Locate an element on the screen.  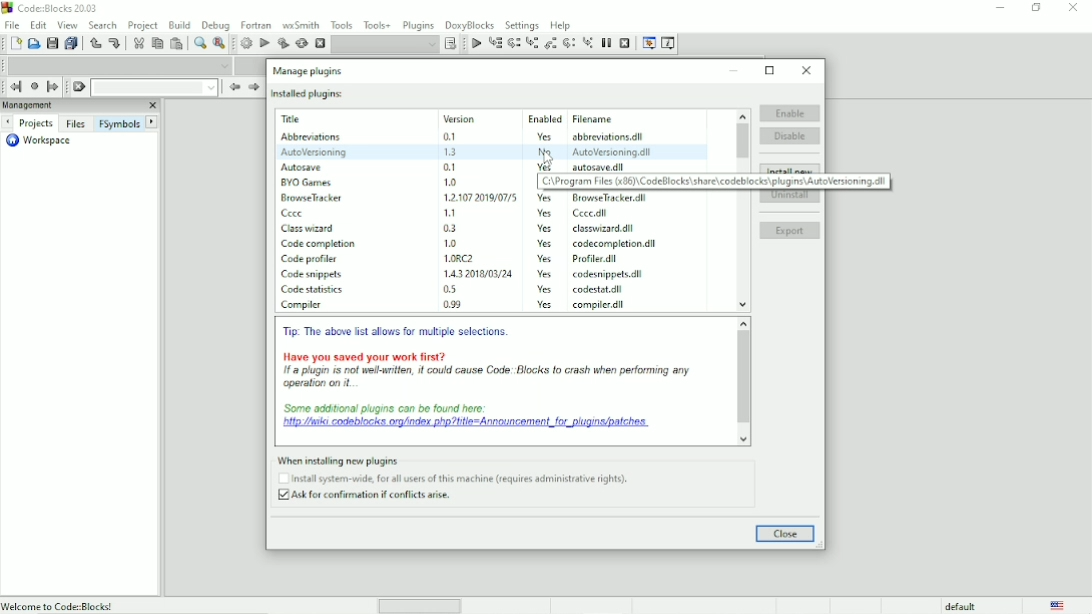
Yes is located at coordinates (545, 274).